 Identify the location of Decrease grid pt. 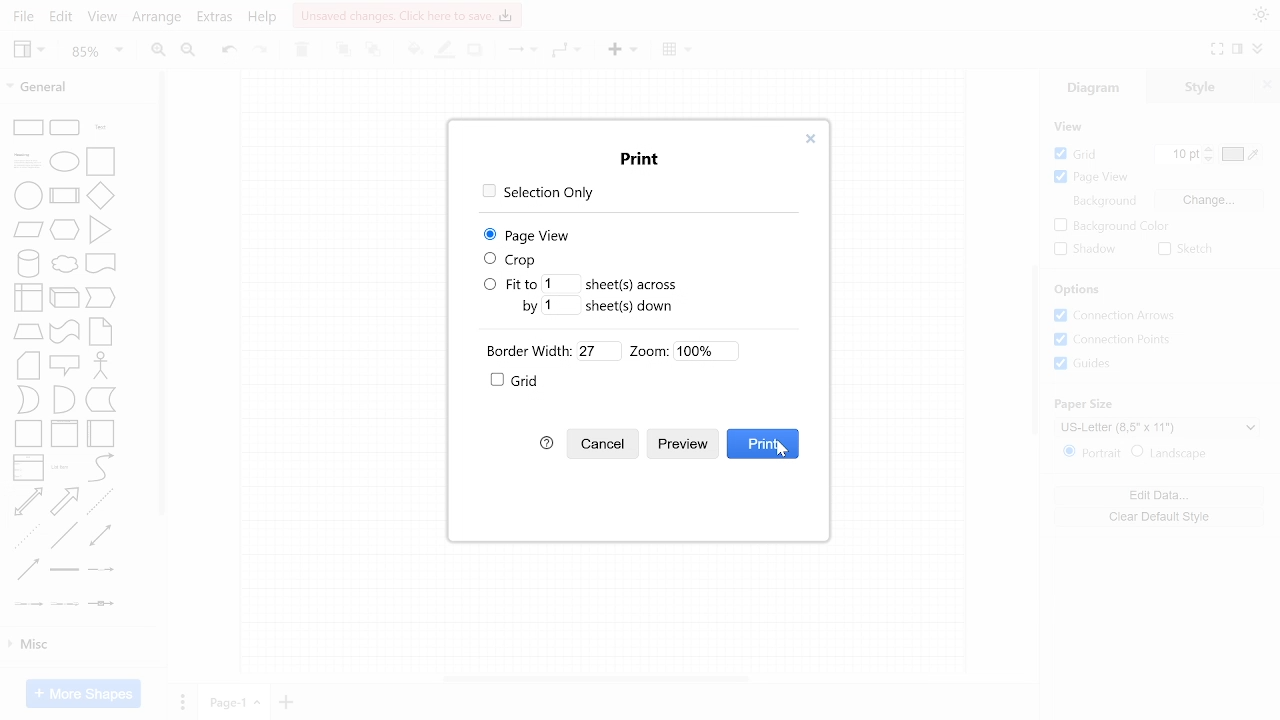
(1210, 159).